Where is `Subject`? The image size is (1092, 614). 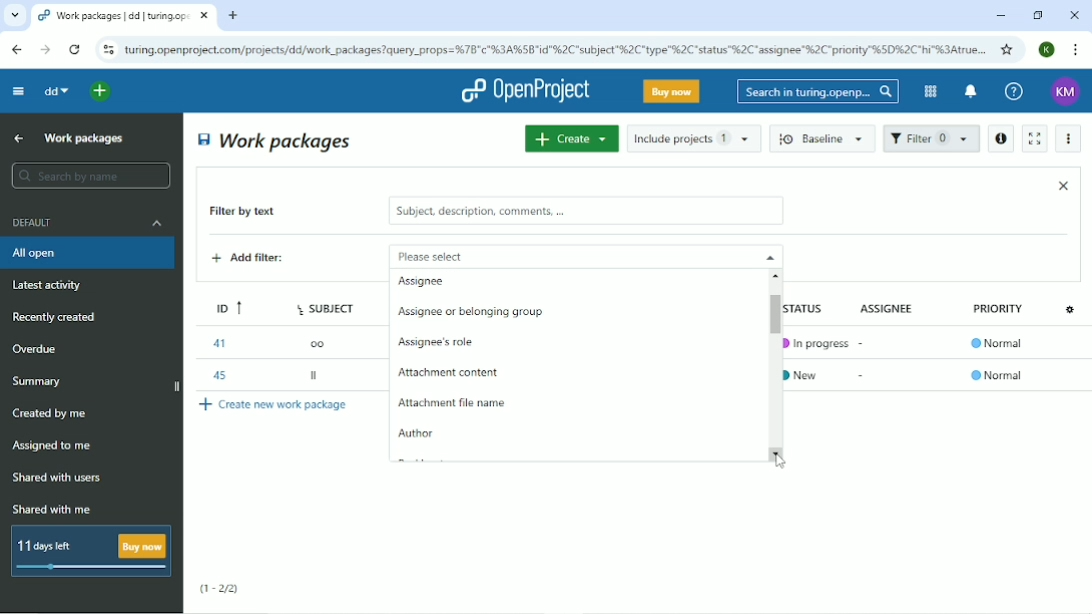
Subject is located at coordinates (328, 305).